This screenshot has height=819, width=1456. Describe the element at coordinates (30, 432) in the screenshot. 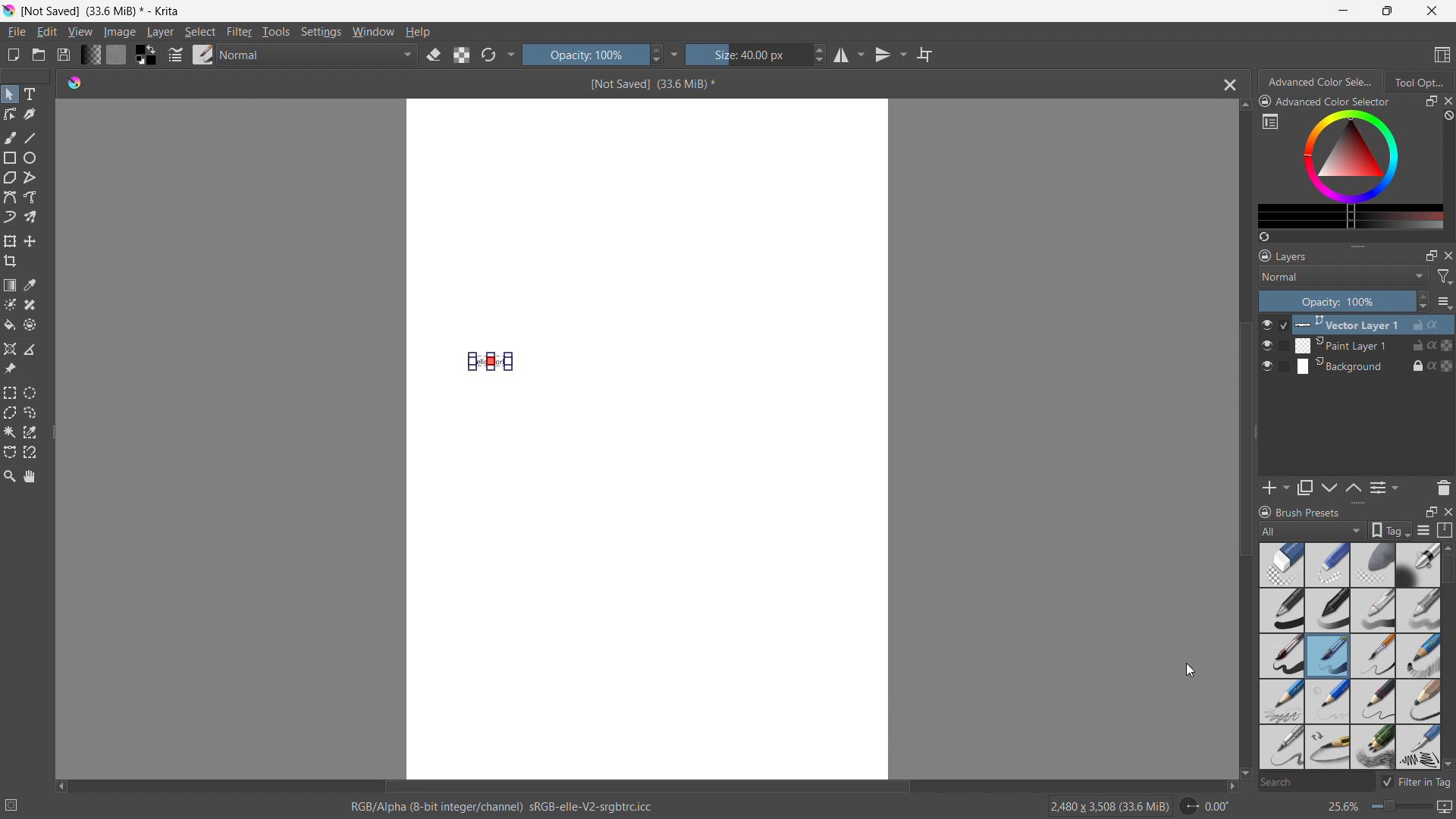

I see `same color selection tool` at that location.